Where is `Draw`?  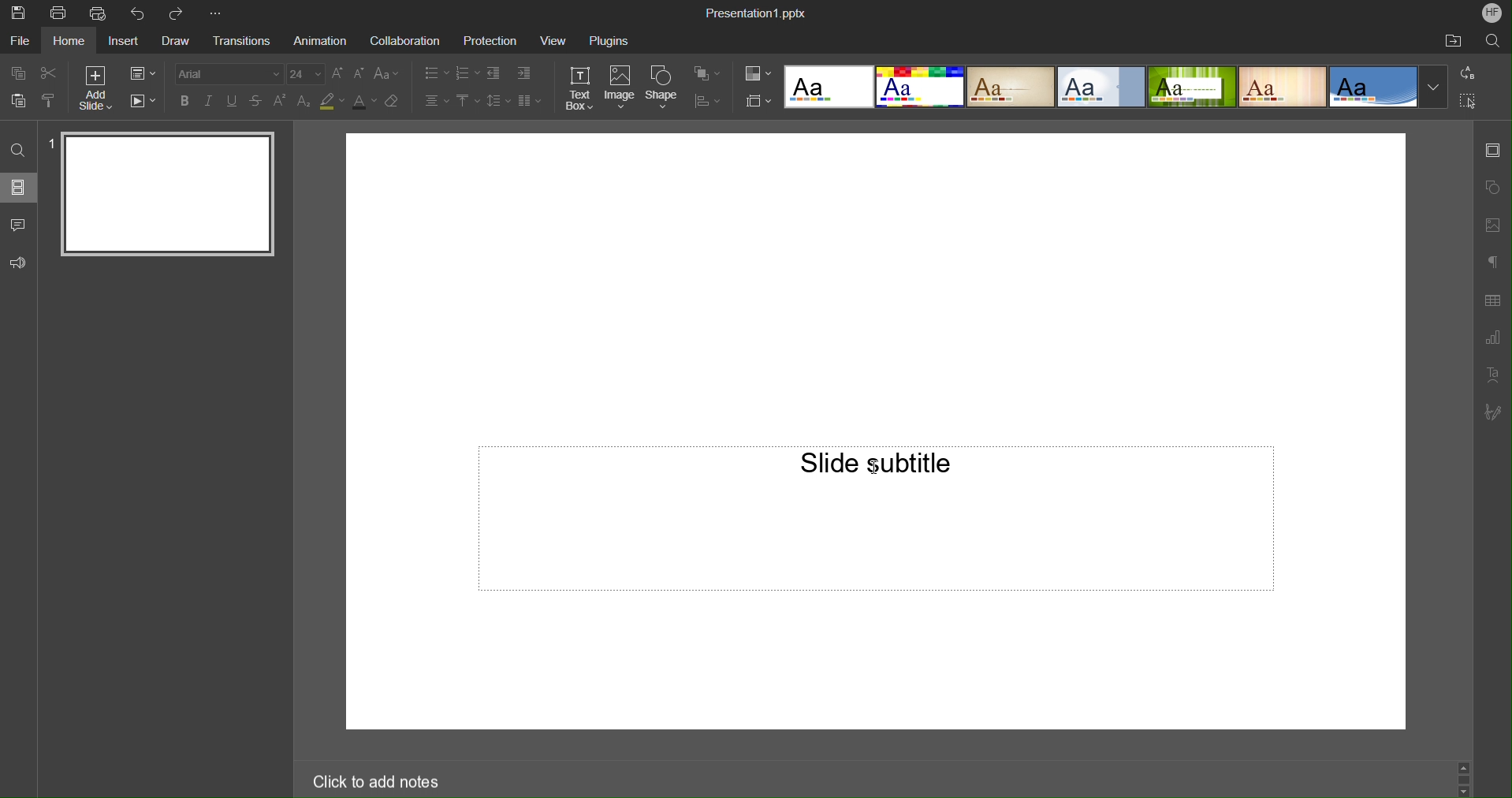
Draw is located at coordinates (176, 42).